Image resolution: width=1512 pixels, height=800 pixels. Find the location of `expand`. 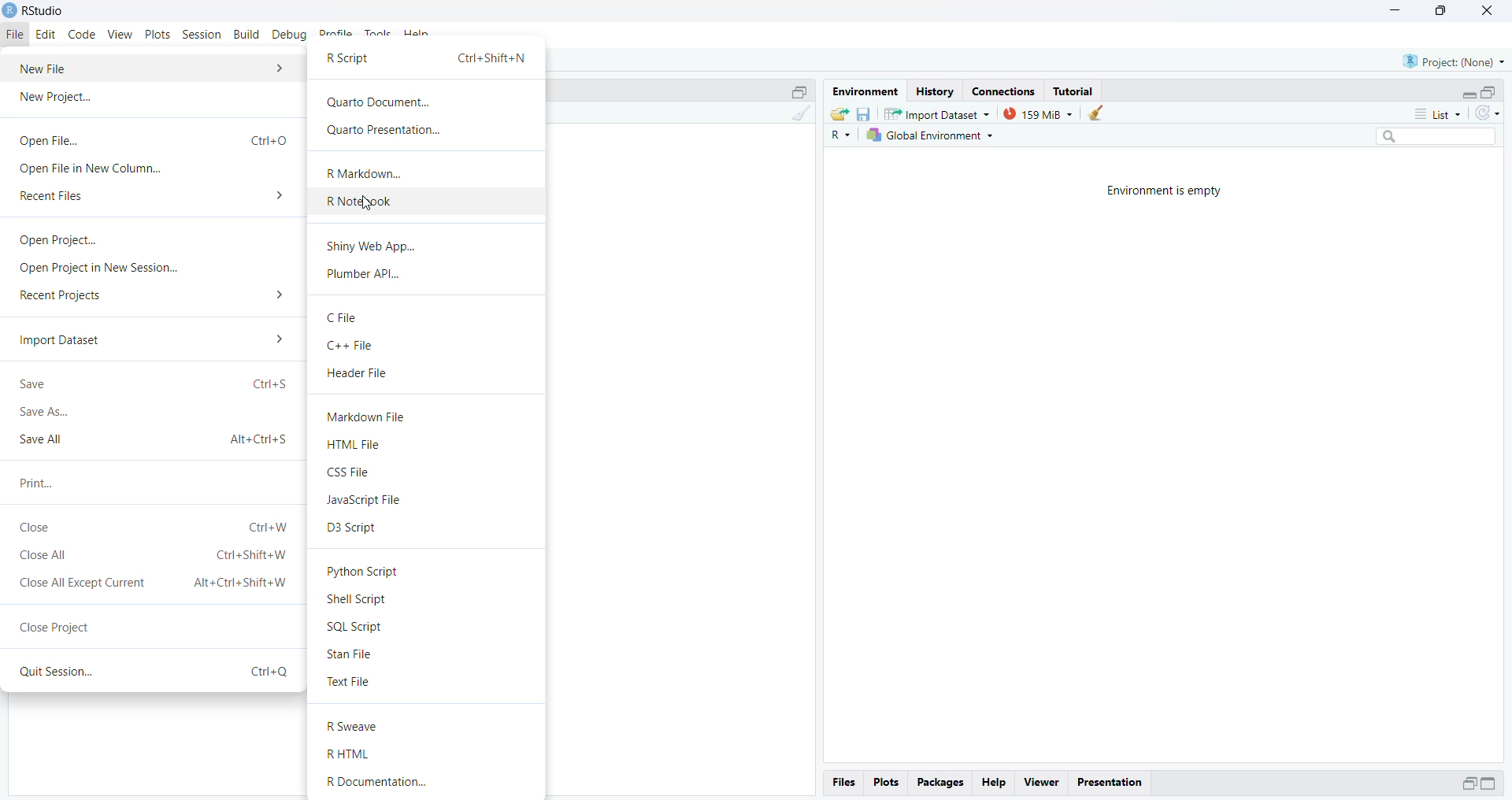

expand is located at coordinates (1469, 94).